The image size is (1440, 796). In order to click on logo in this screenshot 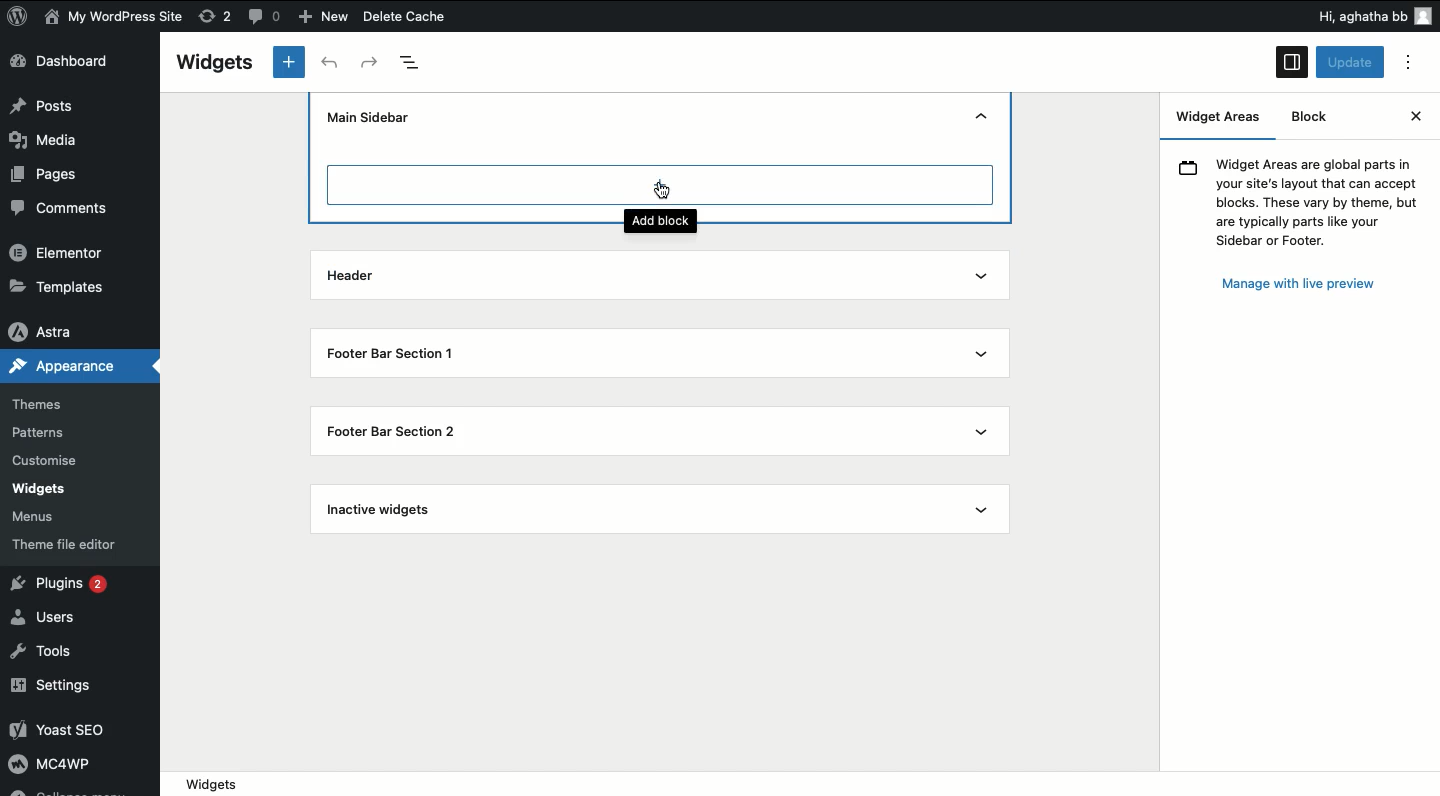, I will do `click(21, 21)`.